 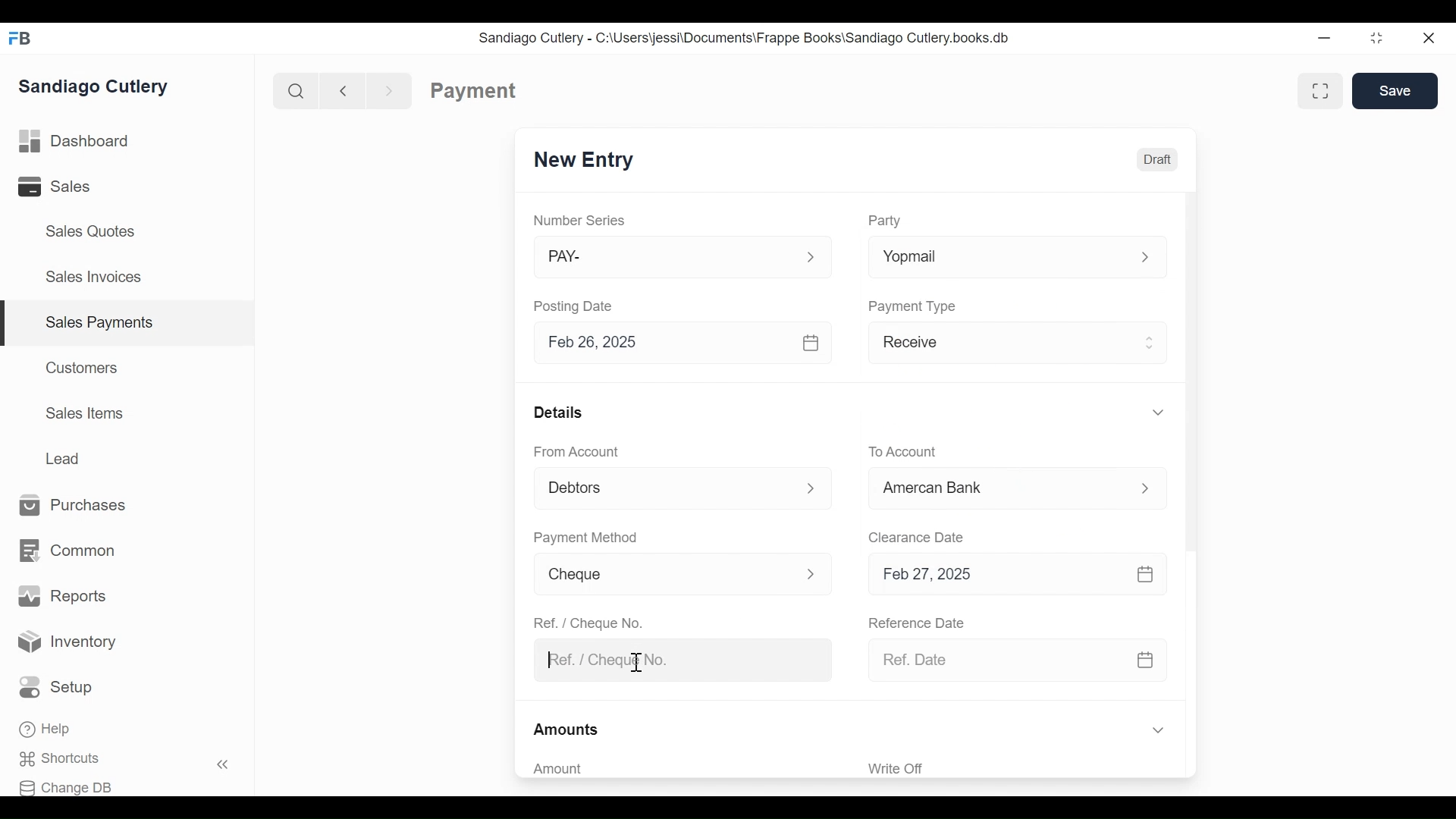 What do you see at coordinates (558, 411) in the screenshot?
I see `Details` at bounding box center [558, 411].